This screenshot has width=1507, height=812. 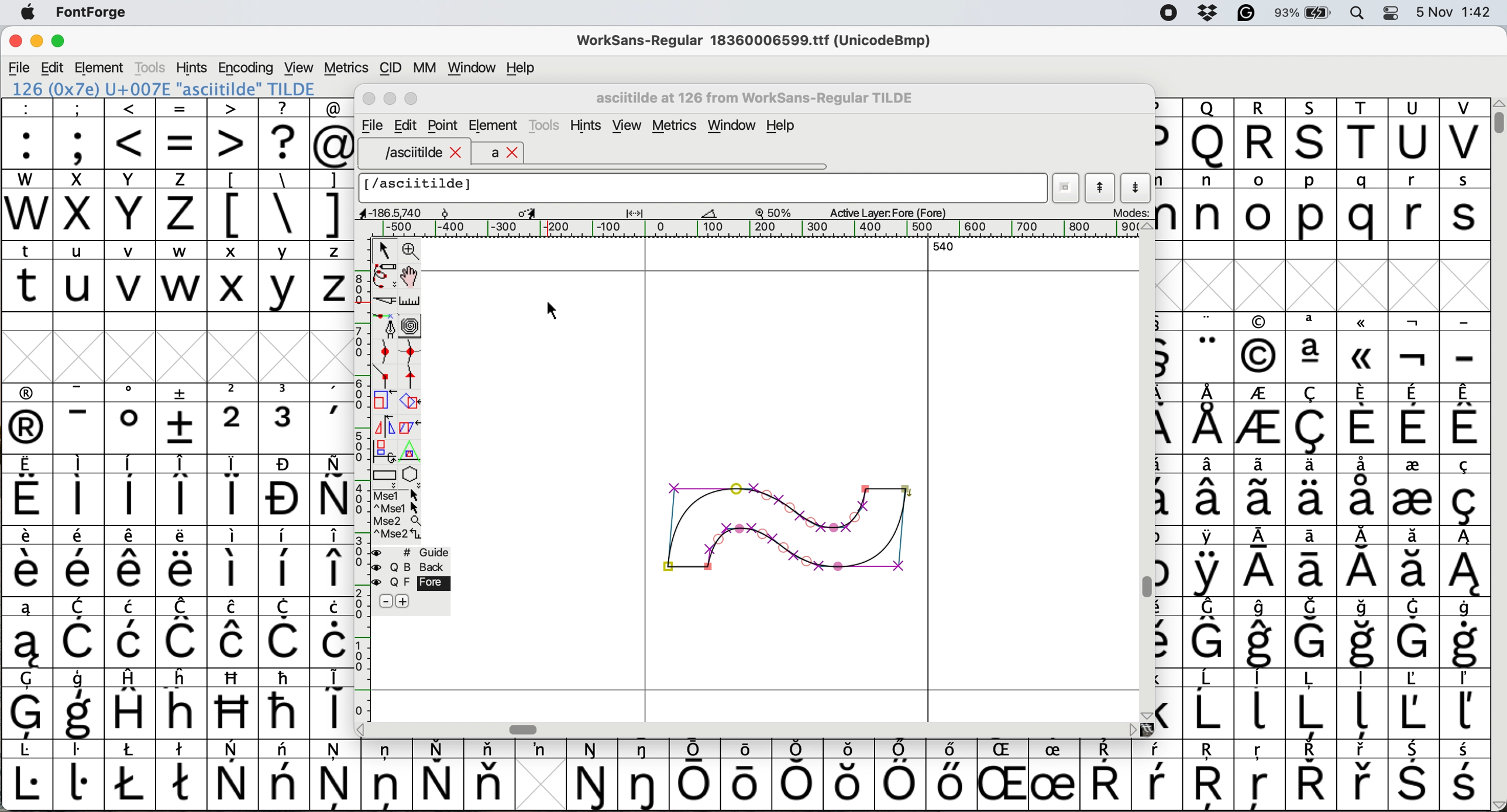 What do you see at coordinates (285, 490) in the screenshot?
I see `symbol` at bounding box center [285, 490].